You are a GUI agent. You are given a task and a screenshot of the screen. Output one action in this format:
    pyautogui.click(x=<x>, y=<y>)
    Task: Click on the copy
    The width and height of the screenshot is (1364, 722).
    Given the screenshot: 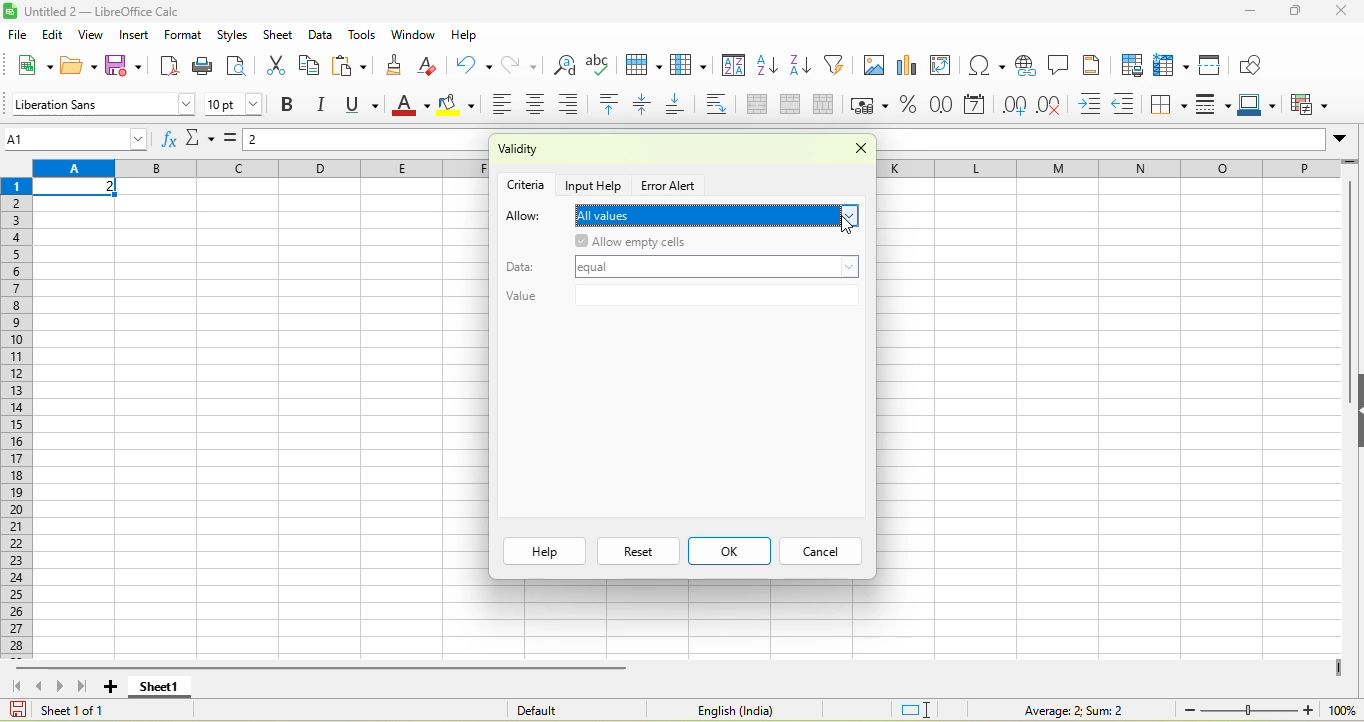 What is the action you would take?
    pyautogui.click(x=310, y=65)
    